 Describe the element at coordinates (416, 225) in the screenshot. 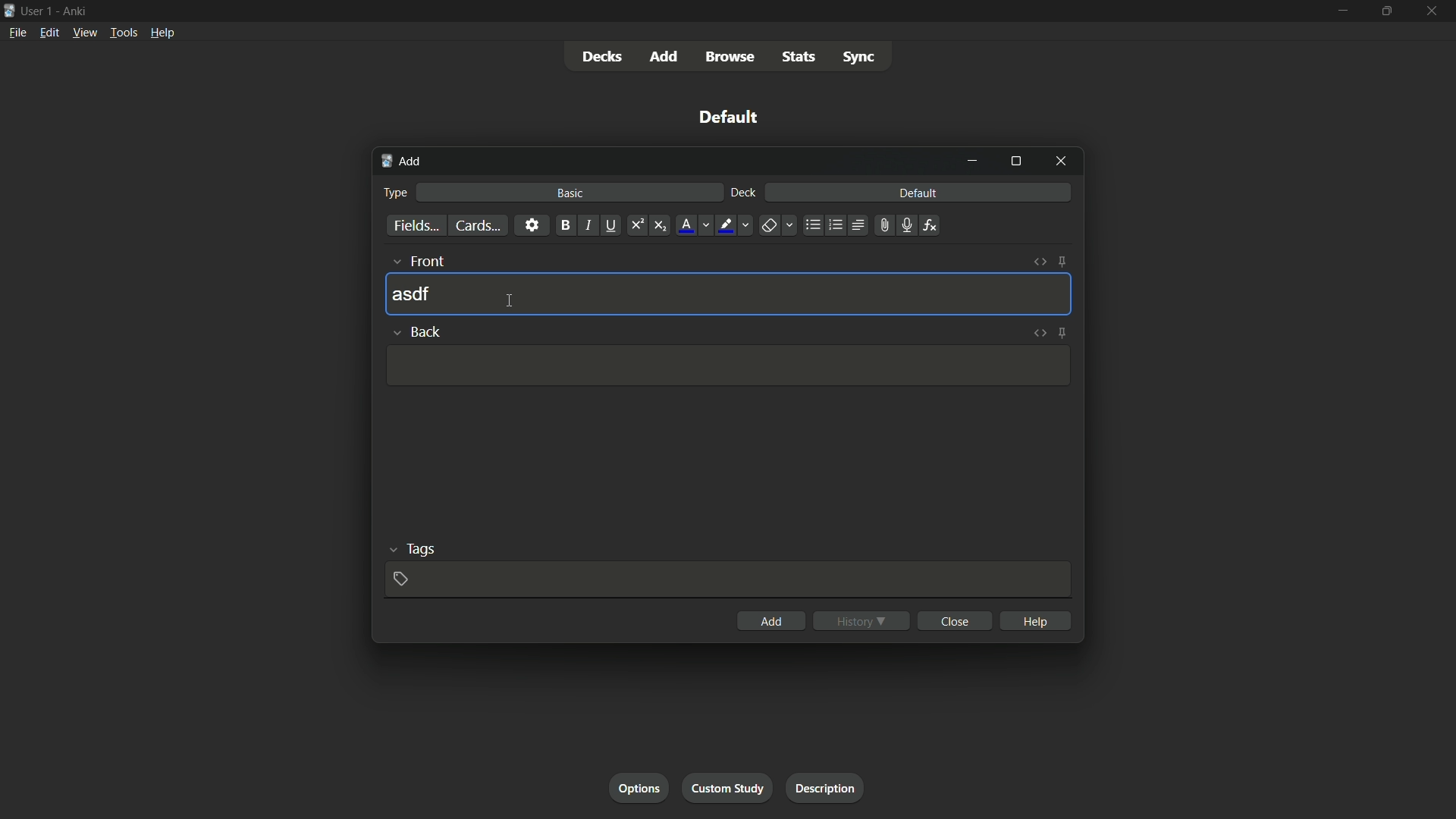

I see `fields` at that location.